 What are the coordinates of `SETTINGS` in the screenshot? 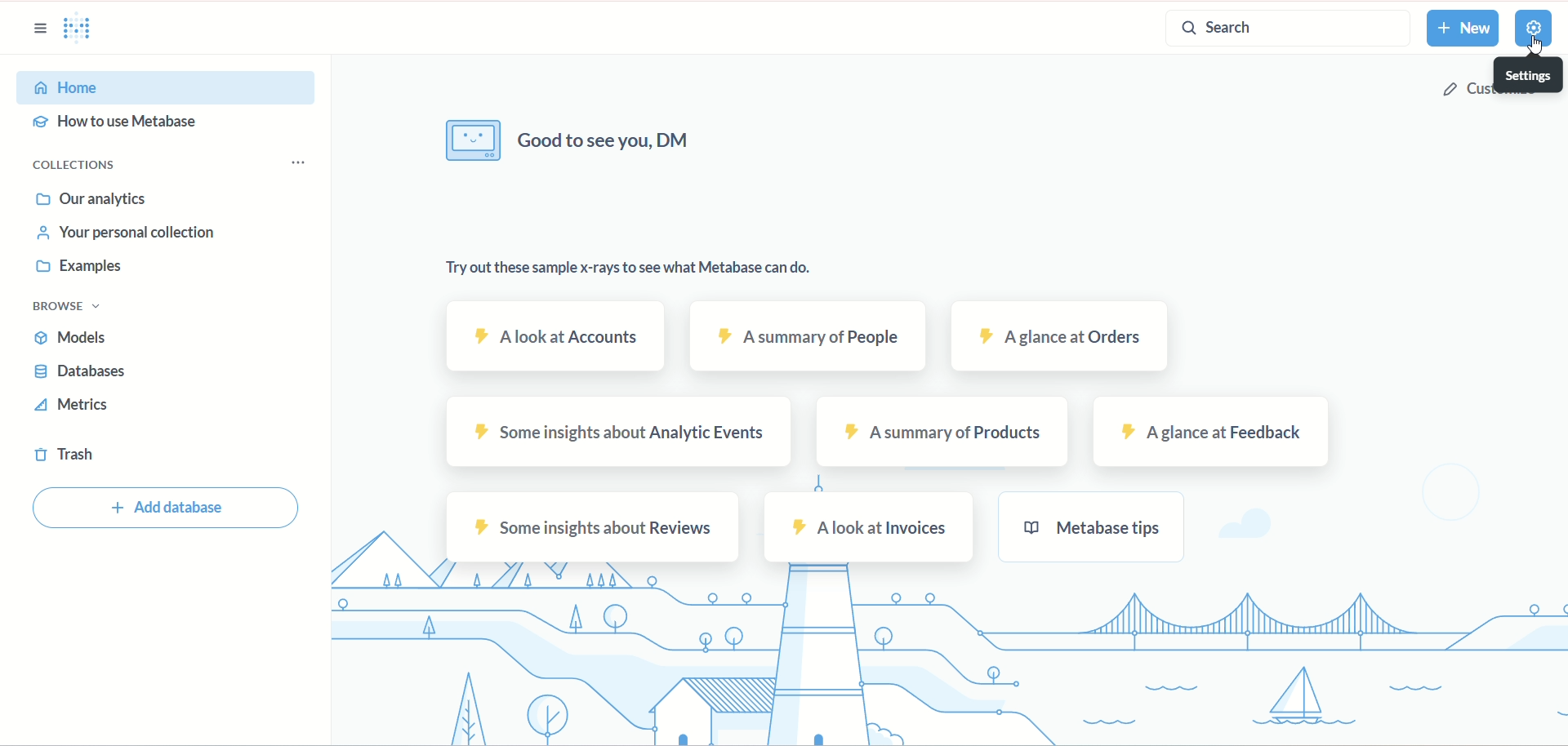 It's located at (1533, 29).